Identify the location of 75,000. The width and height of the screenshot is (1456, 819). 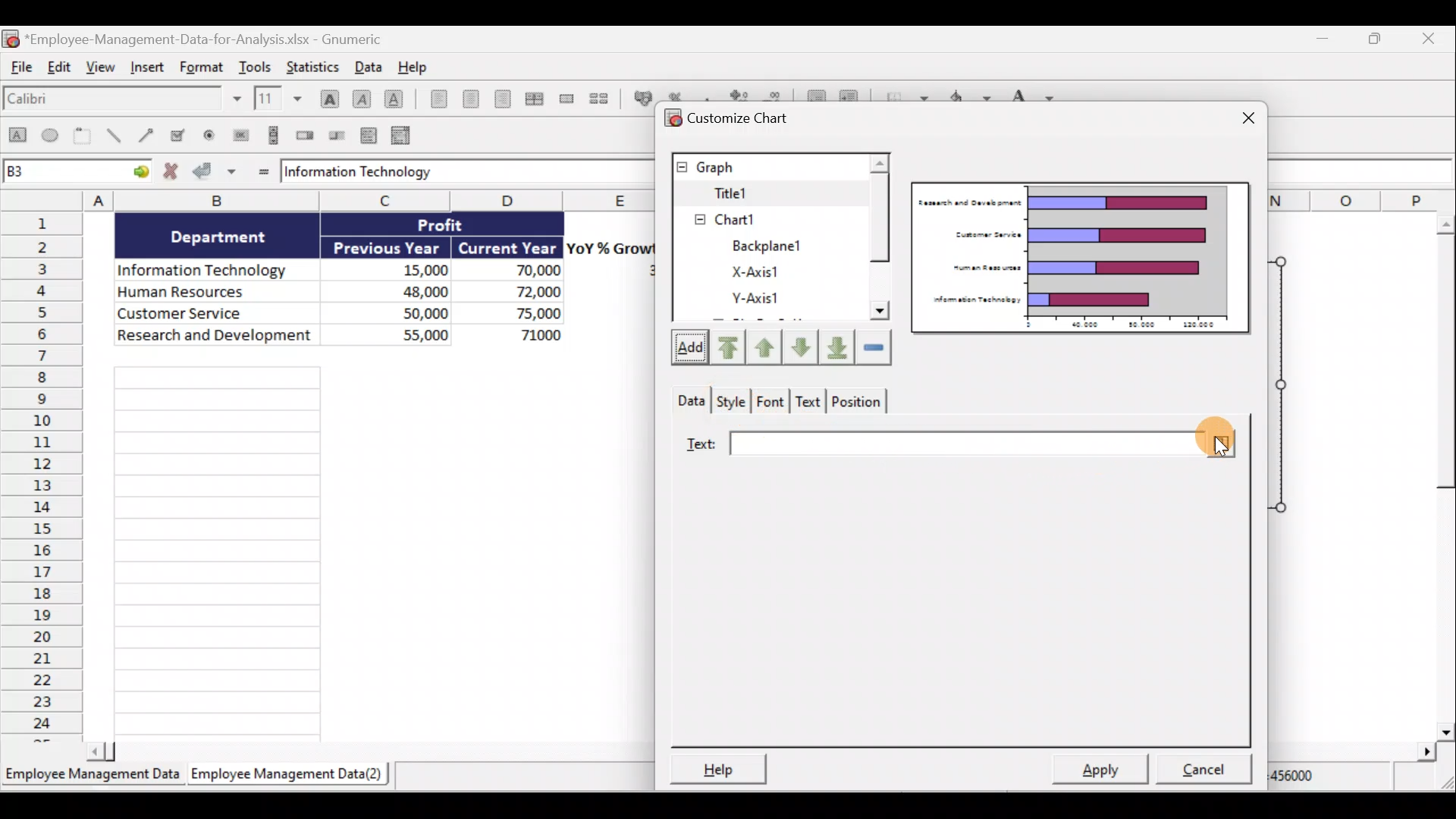
(525, 314).